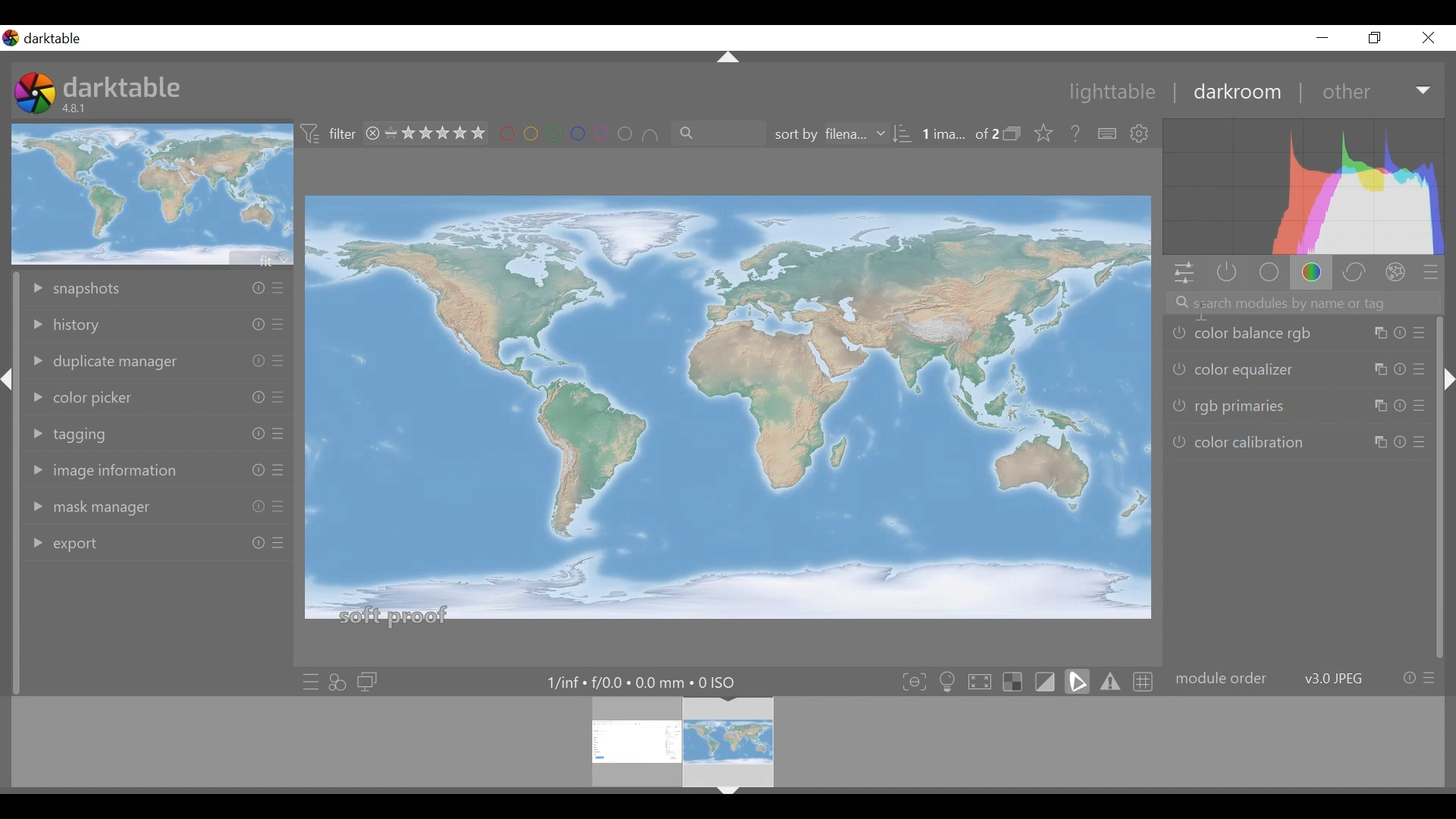  I want to click on , so click(279, 362).